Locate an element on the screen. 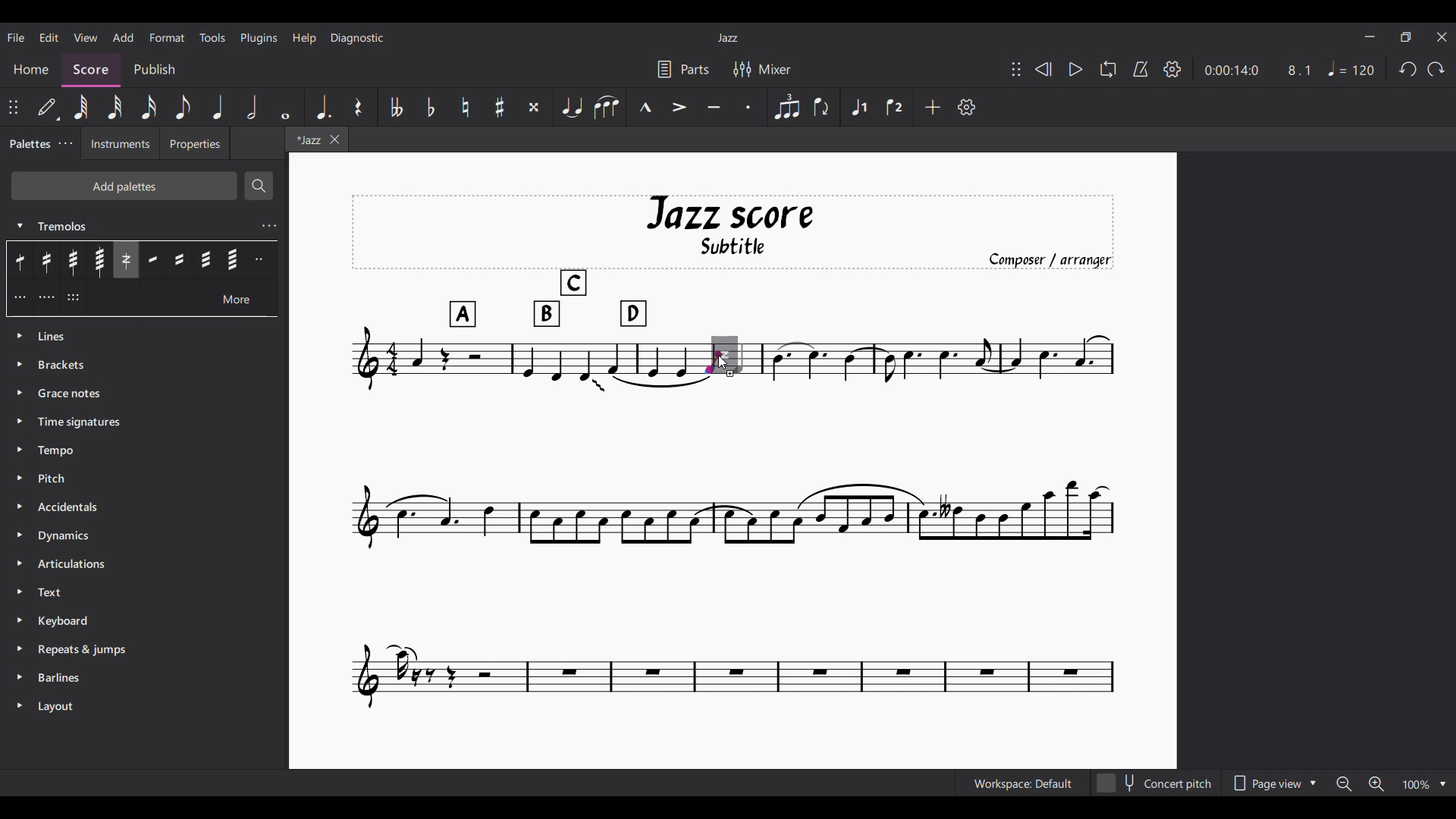 Image resolution: width=1456 pixels, height=819 pixels. Page view is located at coordinates (1272, 783).